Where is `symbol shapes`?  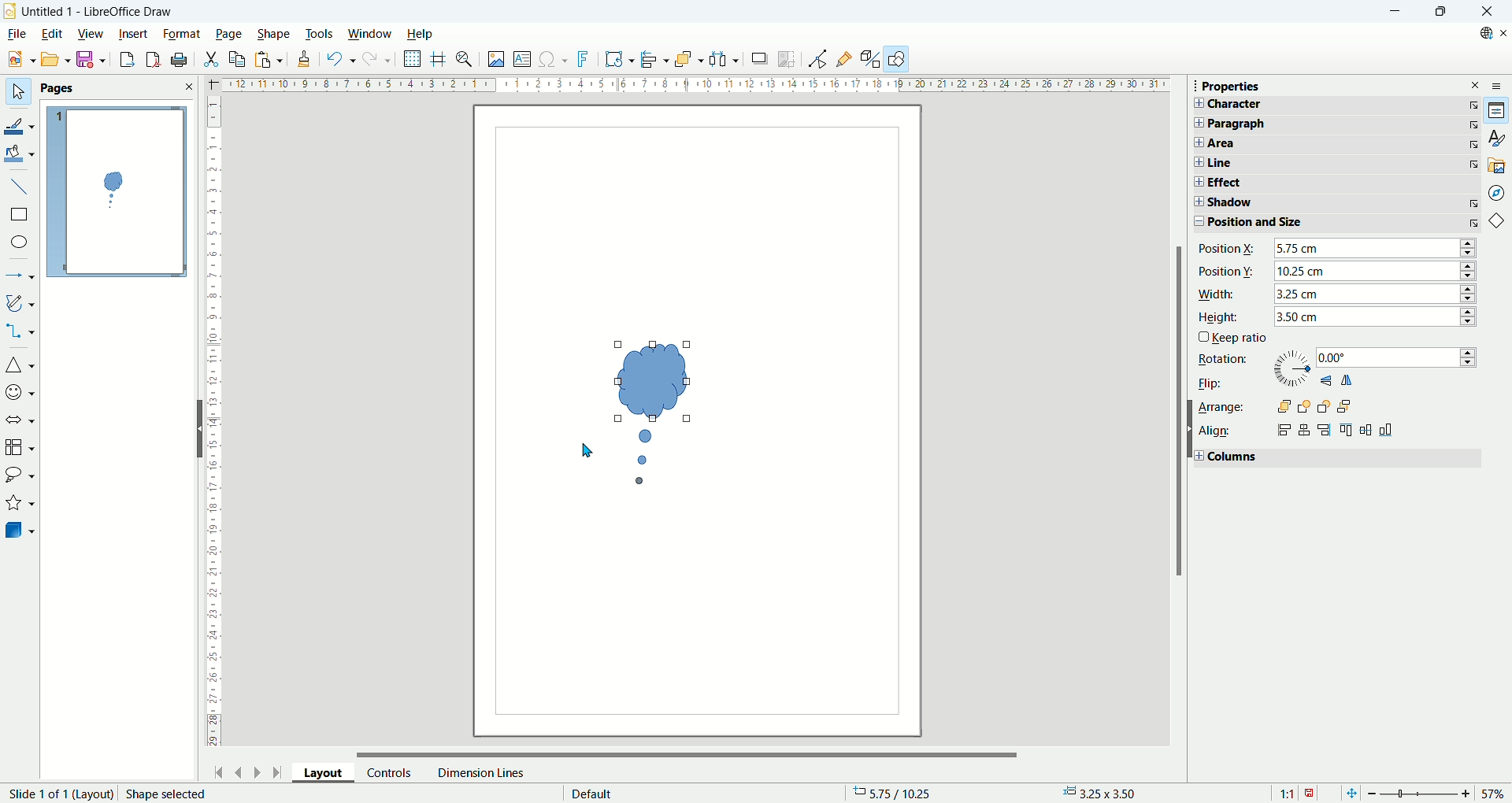
symbol shapes is located at coordinates (20, 391).